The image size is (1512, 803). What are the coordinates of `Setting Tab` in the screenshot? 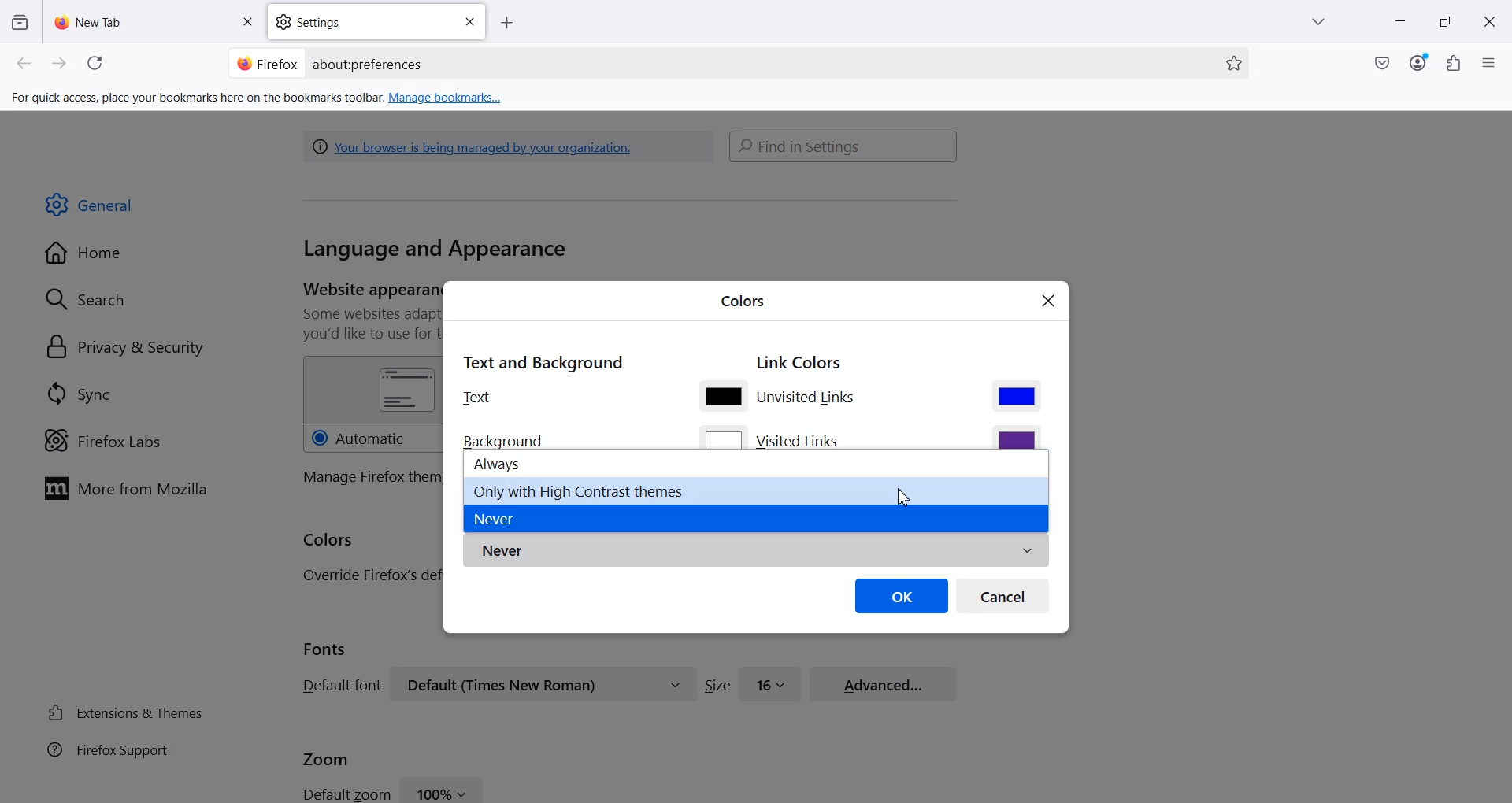 It's located at (378, 22).